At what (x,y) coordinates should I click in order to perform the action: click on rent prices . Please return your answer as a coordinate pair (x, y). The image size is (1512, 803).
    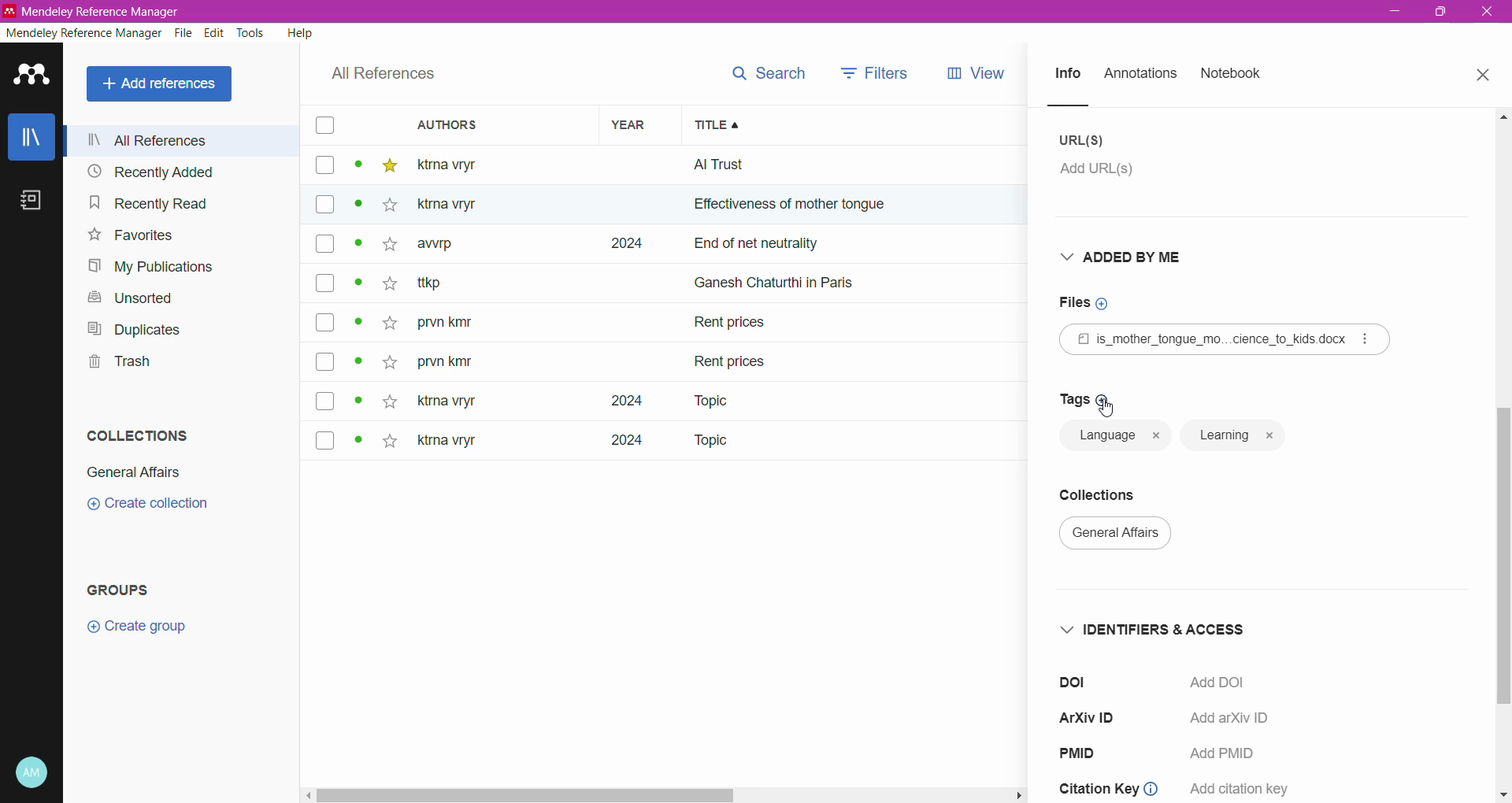
    Looking at the image, I should click on (732, 359).